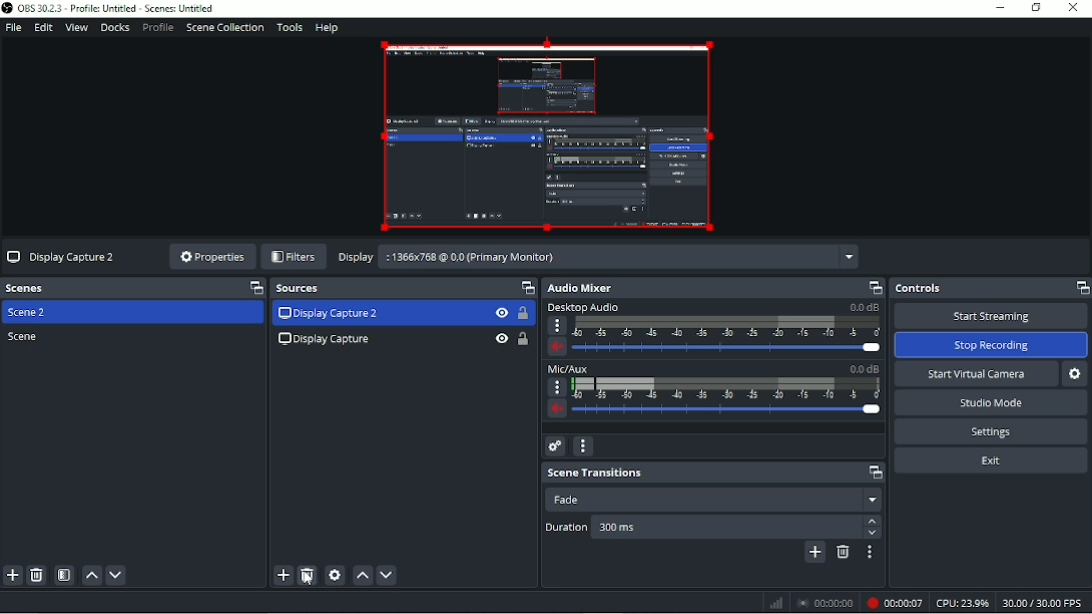 The image size is (1092, 614). What do you see at coordinates (405, 288) in the screenshot?
I see `Sources` at bounding box center [405, 288].